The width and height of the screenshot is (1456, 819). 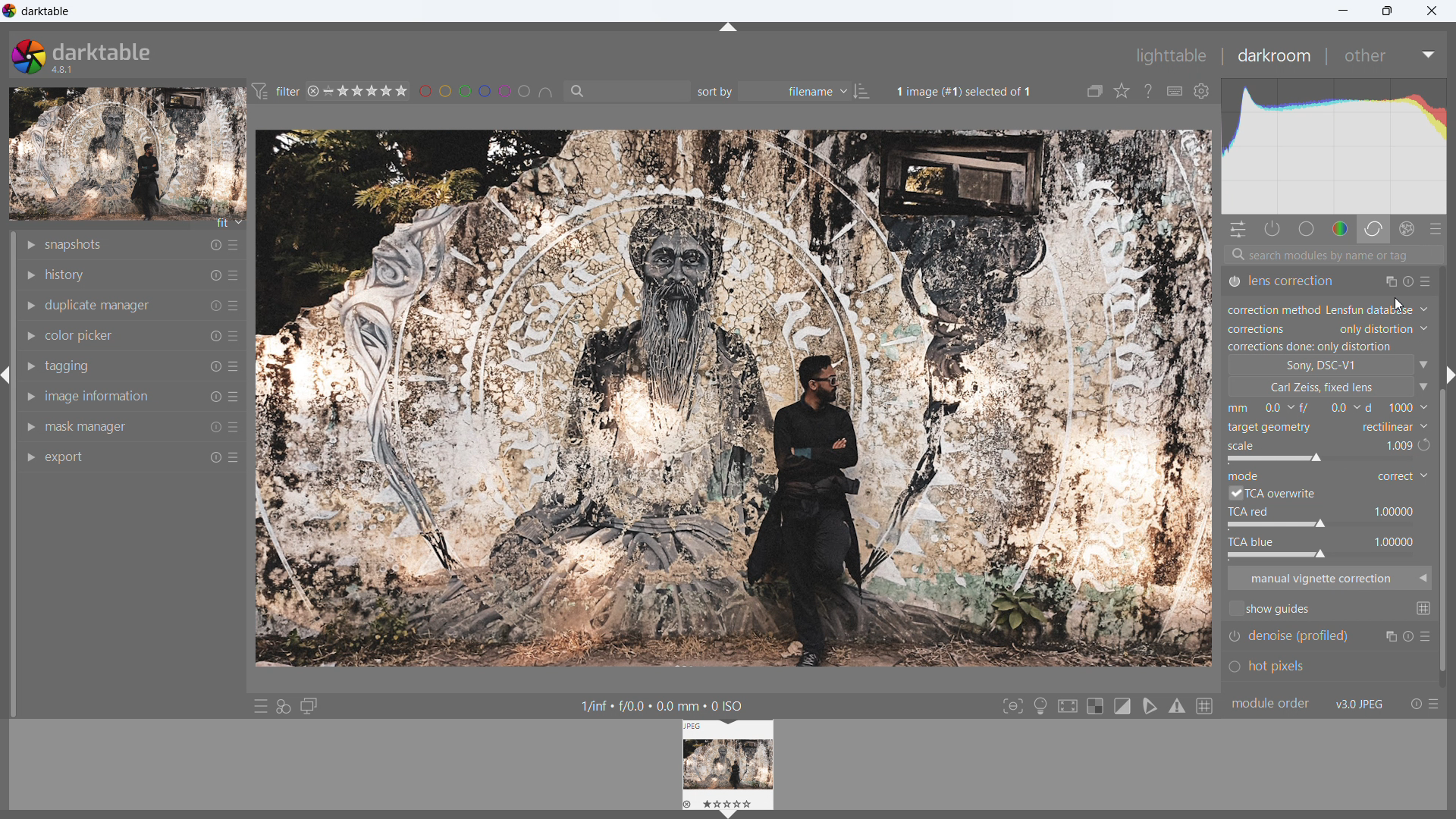 I want to click on toggle guidelines, so click(x=1205, y=706).